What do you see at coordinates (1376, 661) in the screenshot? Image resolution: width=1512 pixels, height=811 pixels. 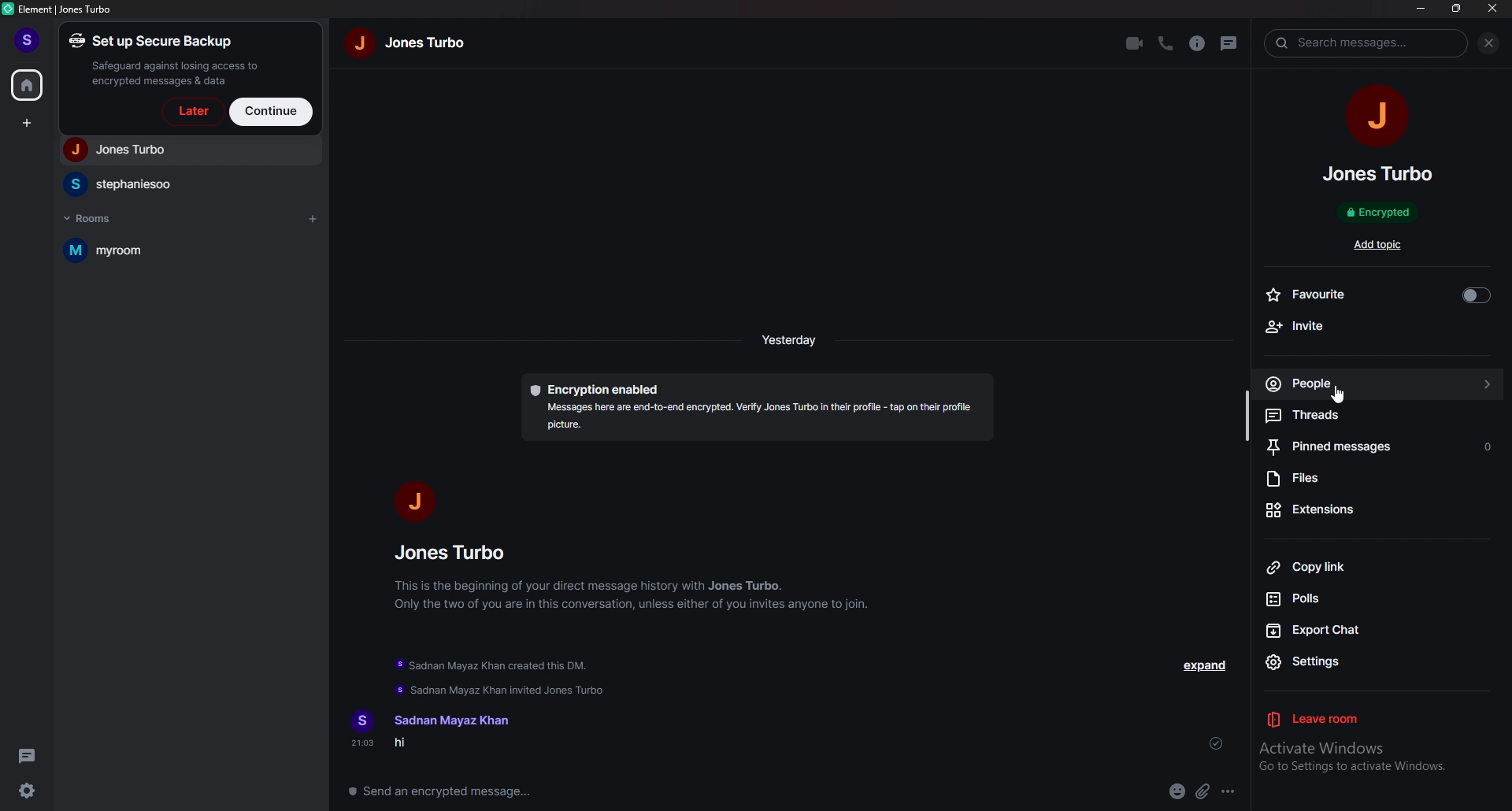 I see `settings` at bounding box center [1376, 661].